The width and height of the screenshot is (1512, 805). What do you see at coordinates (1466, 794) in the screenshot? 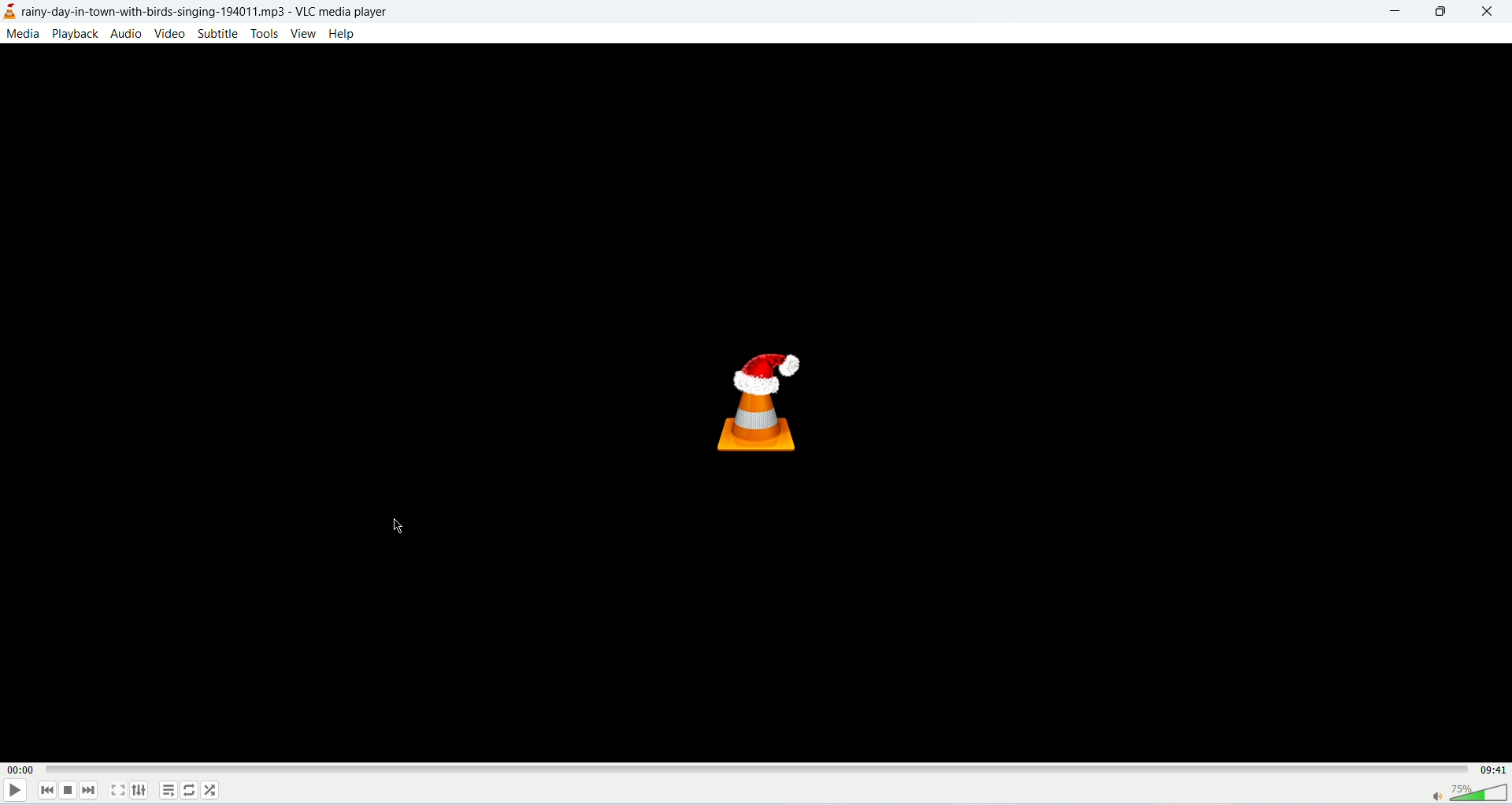
I see `volume bar` at bounding box center [1466, 794].